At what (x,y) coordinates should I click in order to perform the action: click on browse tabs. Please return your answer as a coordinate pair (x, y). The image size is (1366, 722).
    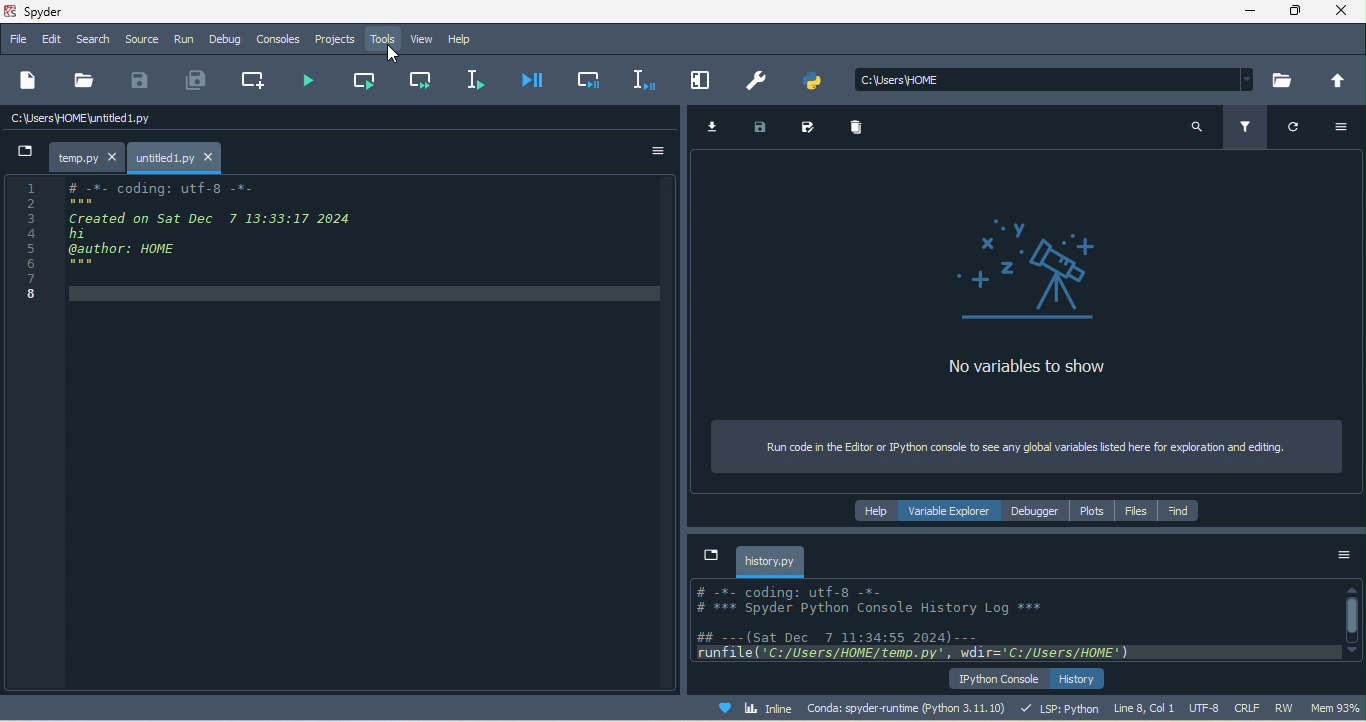
    Looking at the image, I should click on (23, 151).